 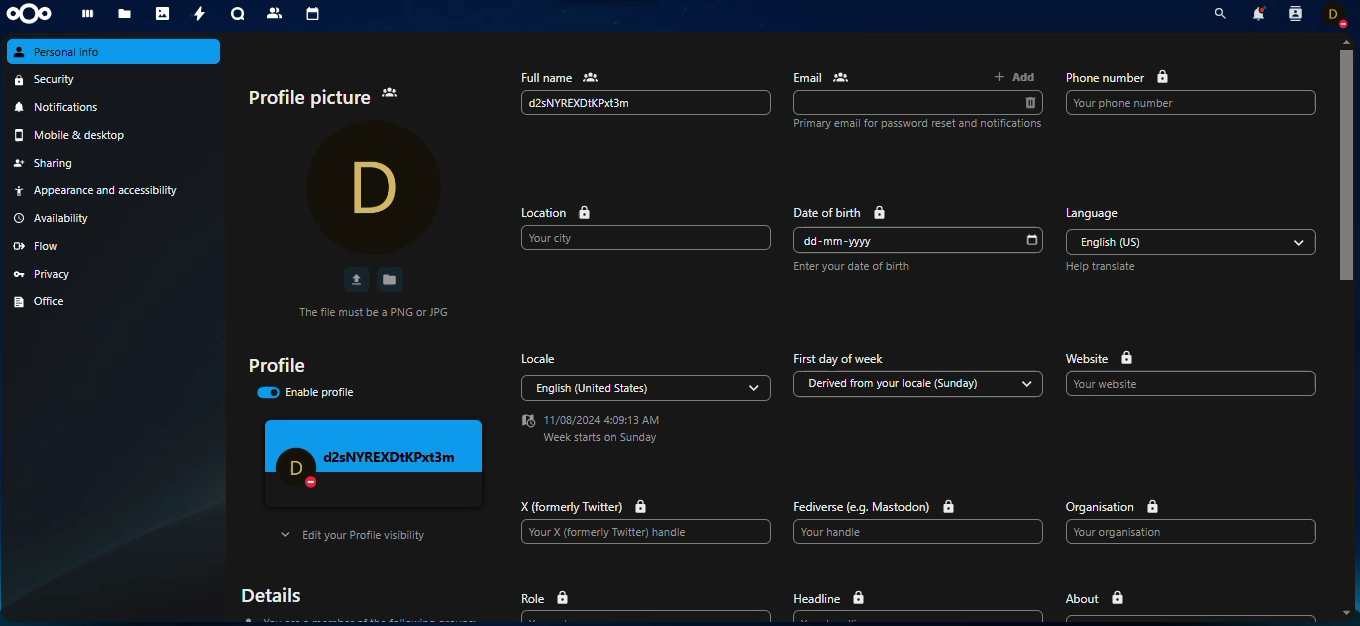 What do you see at coordinates (113, 191) in the screenshot?
I see `Appearance and accessibility` at bounding box center [113, 191].